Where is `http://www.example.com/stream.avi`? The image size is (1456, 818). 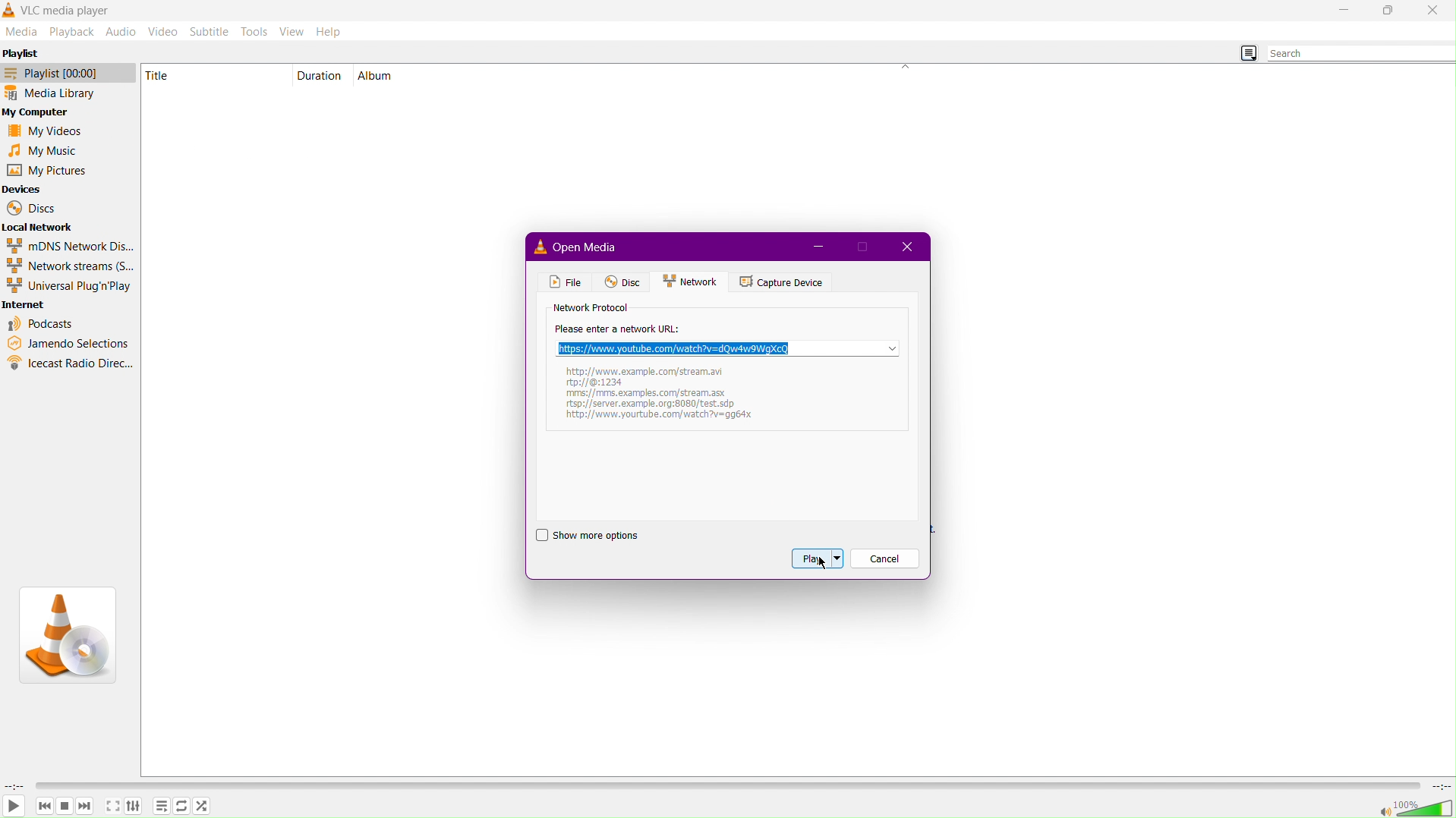 http://www.example.com/stream.avi is located at coordinates (642, 370).